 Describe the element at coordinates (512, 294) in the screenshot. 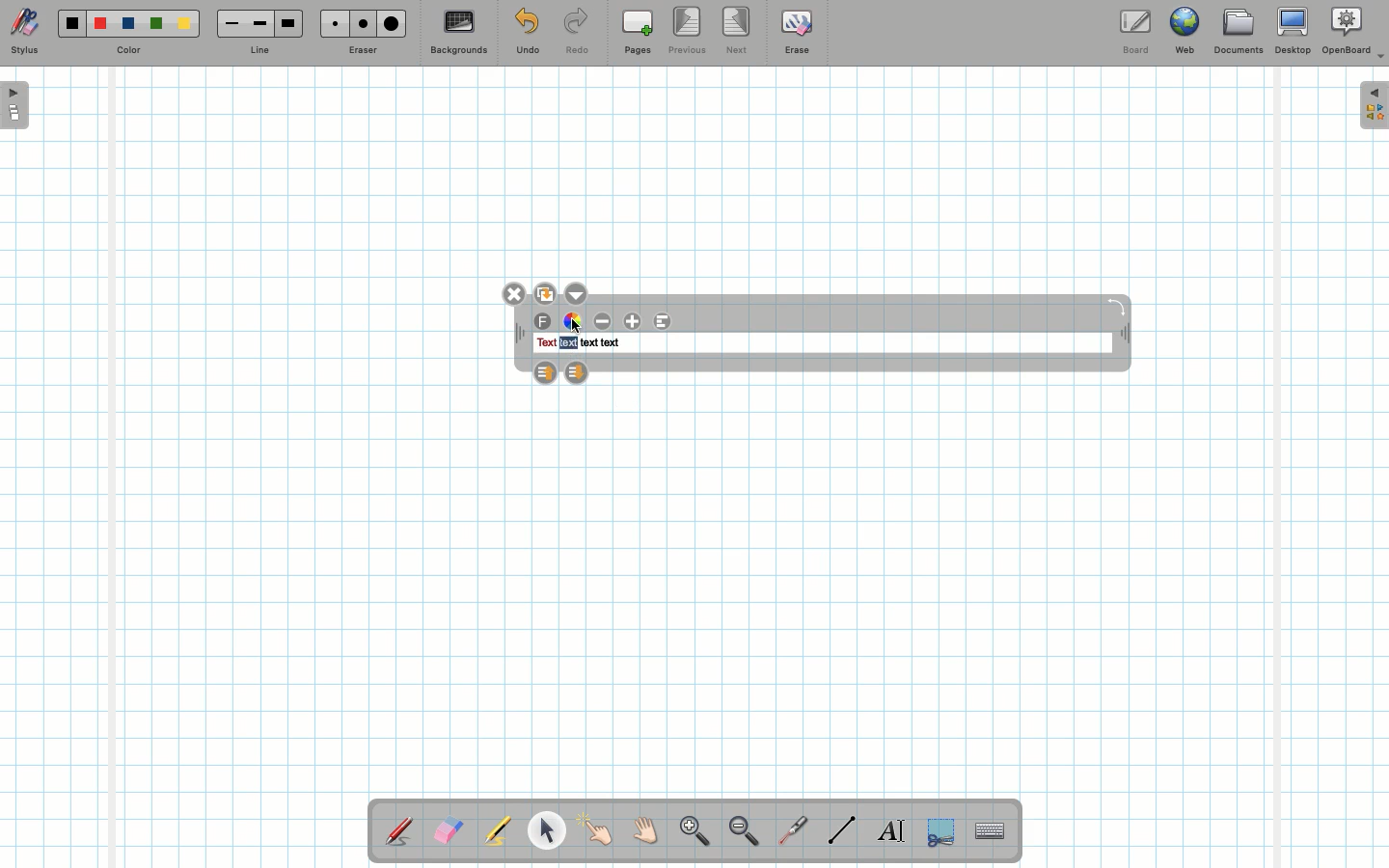

I see `Close` at that location.